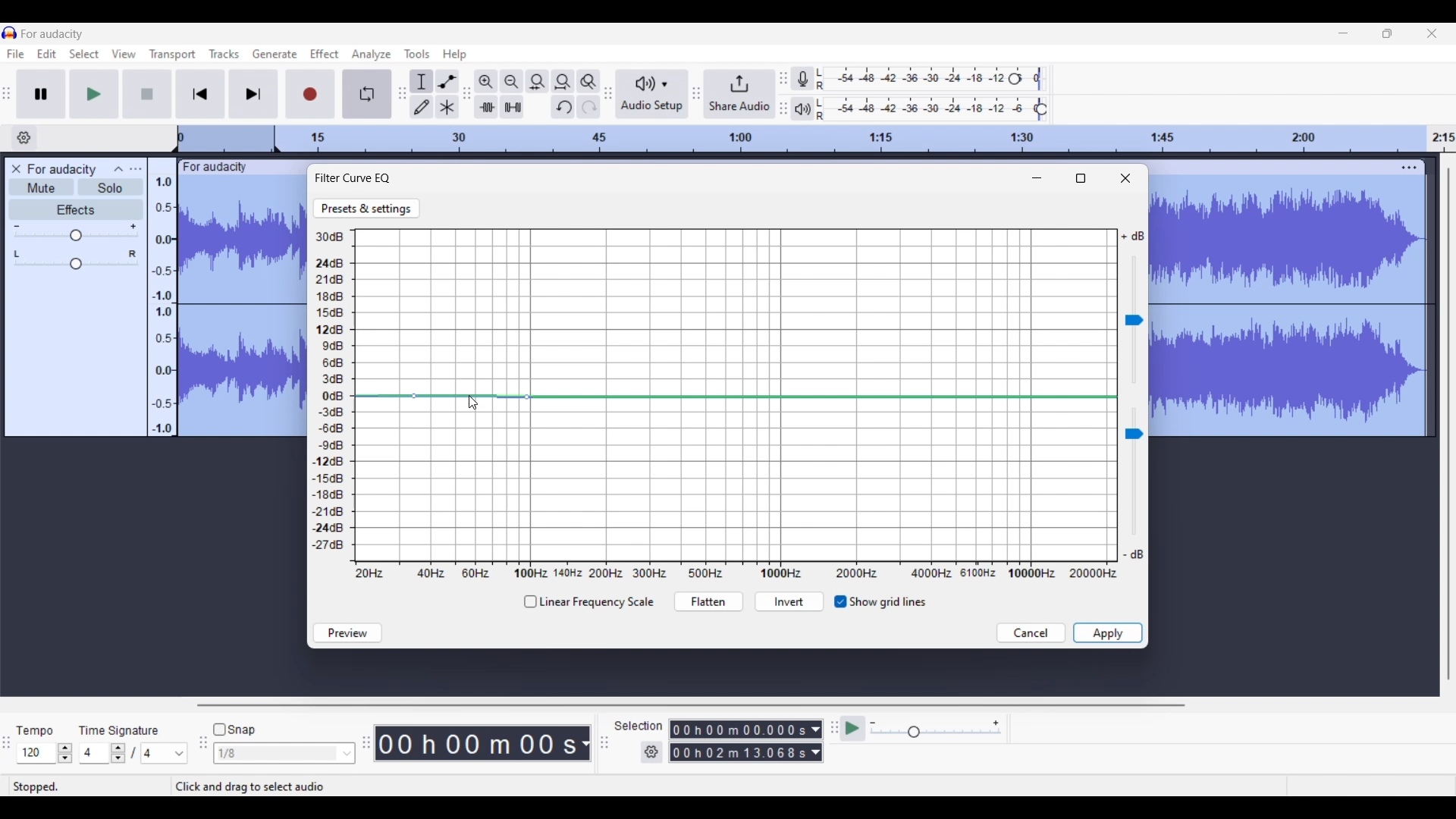 This screenshot has width=1456, height=819. I want to click on Type in snap, so click(277, 754).